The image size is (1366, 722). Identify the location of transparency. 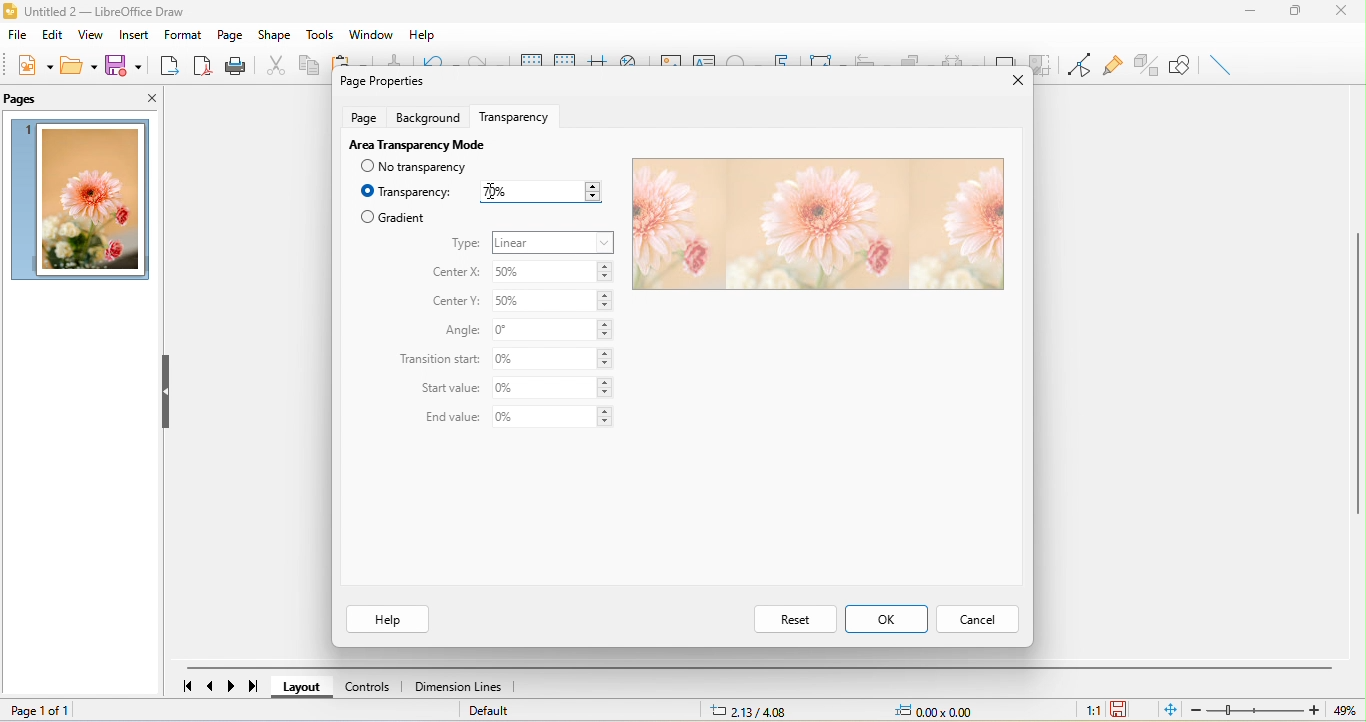
(407, 192).